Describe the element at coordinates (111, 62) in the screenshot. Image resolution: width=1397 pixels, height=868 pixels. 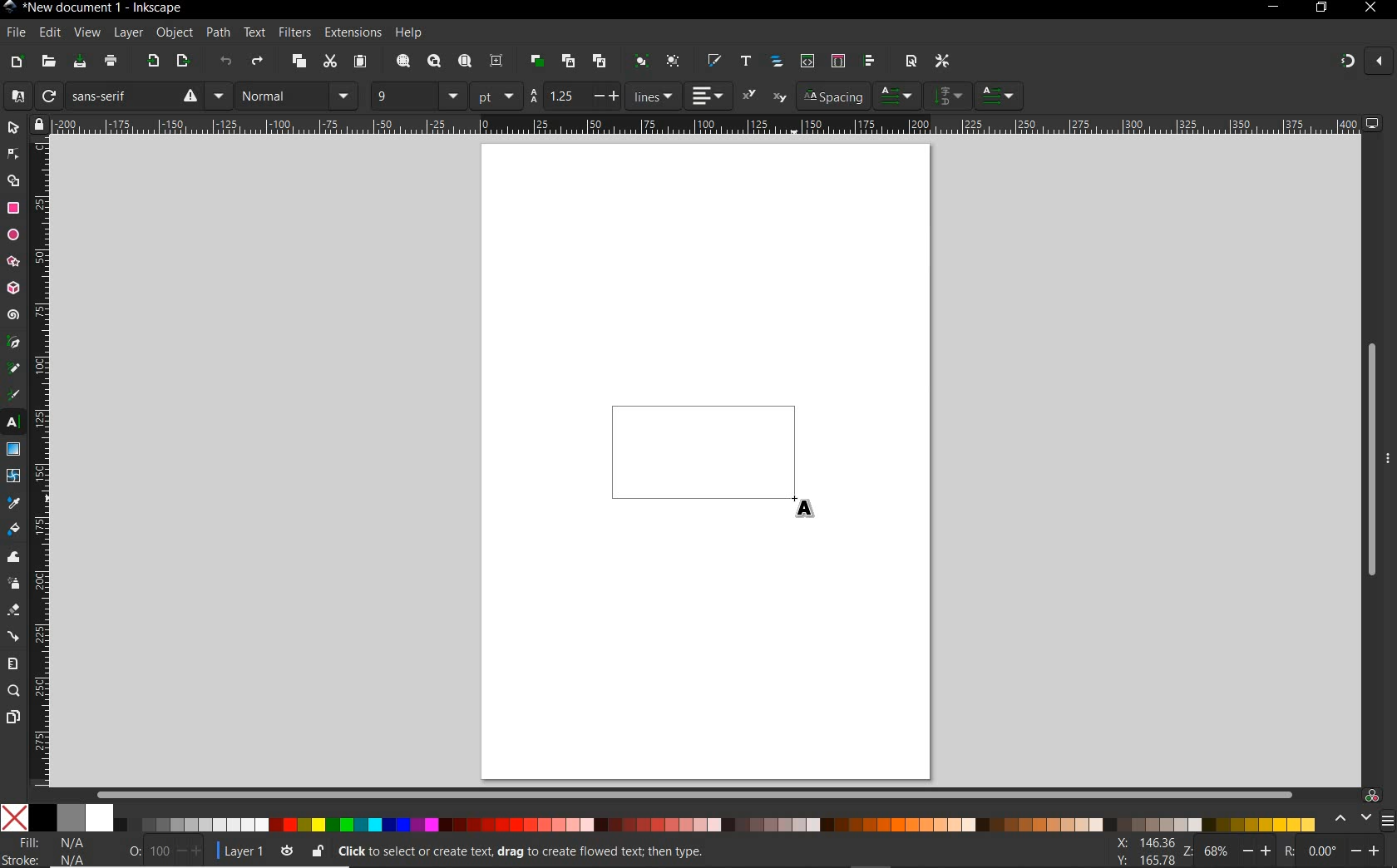
I see `print` at that location.